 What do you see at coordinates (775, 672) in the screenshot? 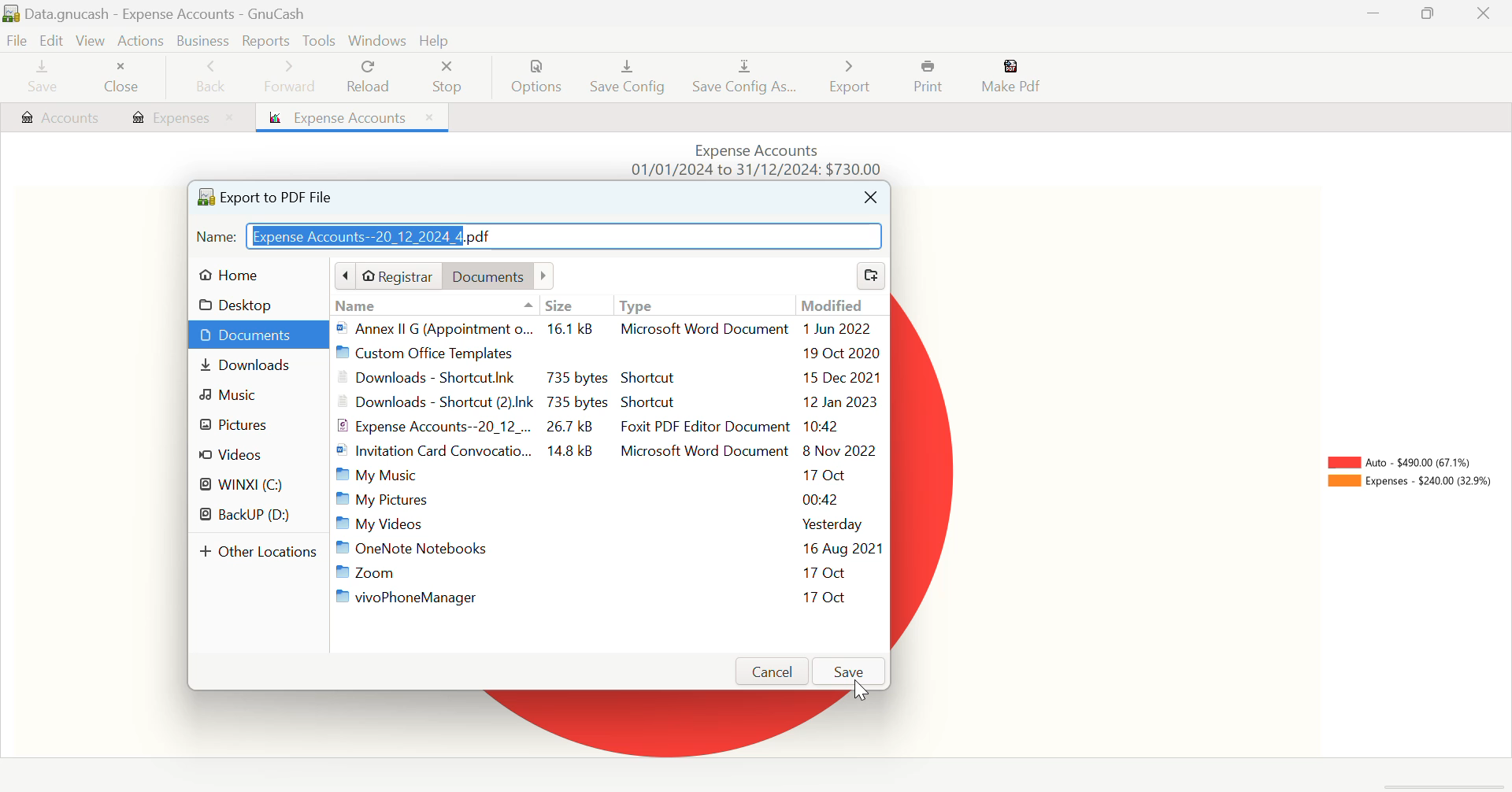
I see `Cancel` at bounding box center [775, 672].